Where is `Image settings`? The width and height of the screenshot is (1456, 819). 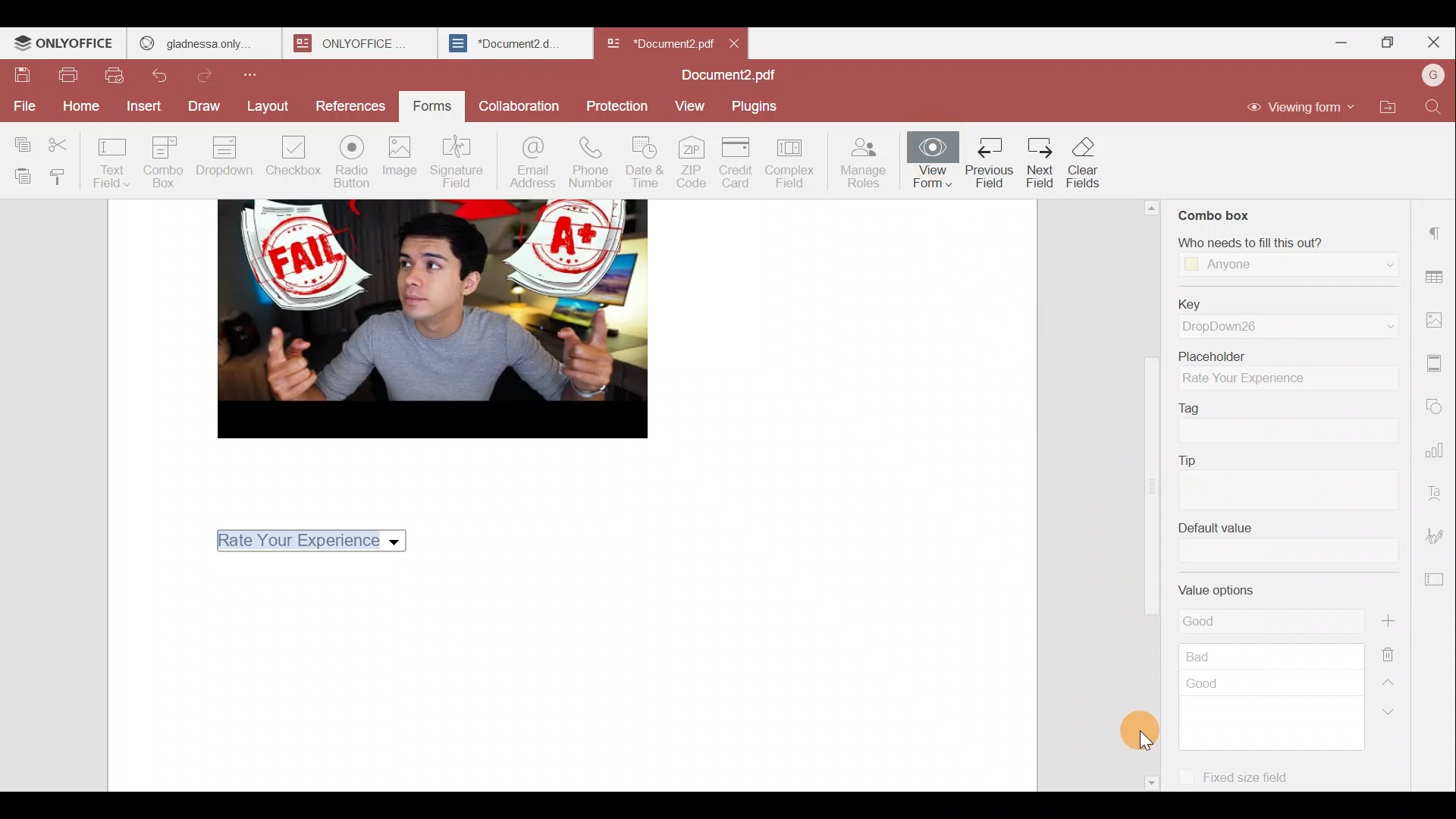
Image settings is located at coordinates (1437, 321).